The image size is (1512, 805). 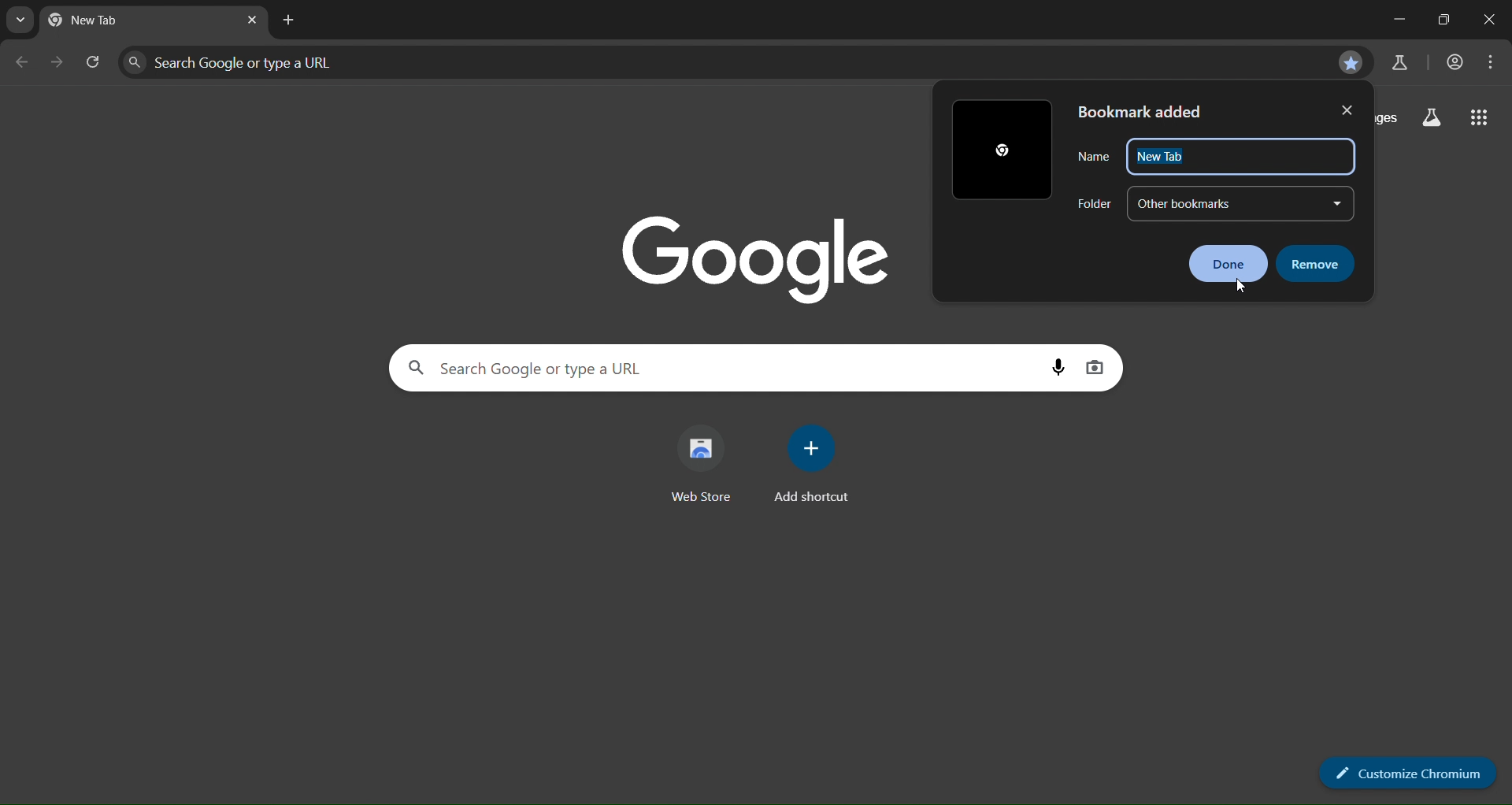 What do you see at coordinates (1094, 365) in the screenshot?
I see `image search ` at bounding box center [1094, 365].